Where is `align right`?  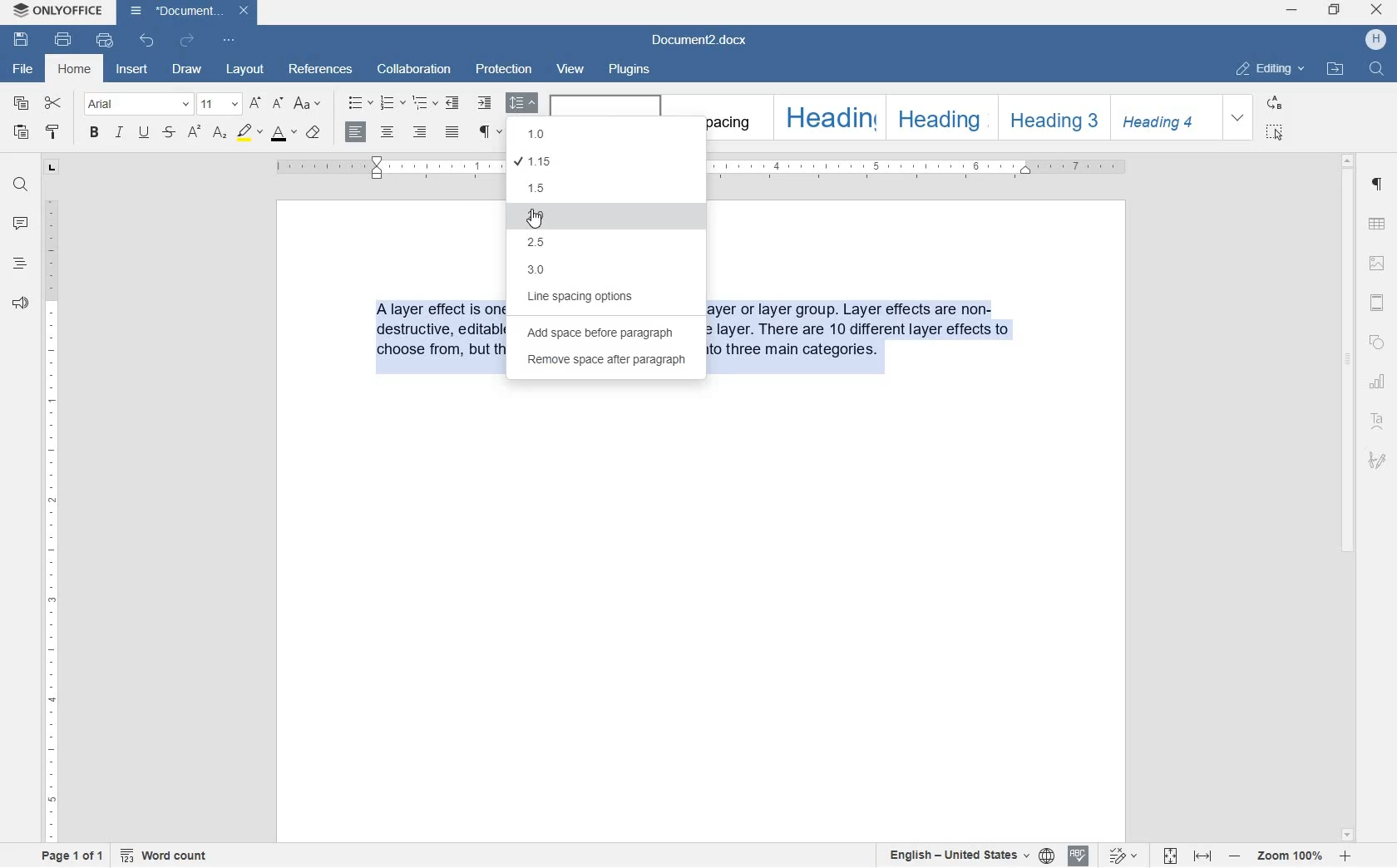
align right is located at coordinates (355, 133).